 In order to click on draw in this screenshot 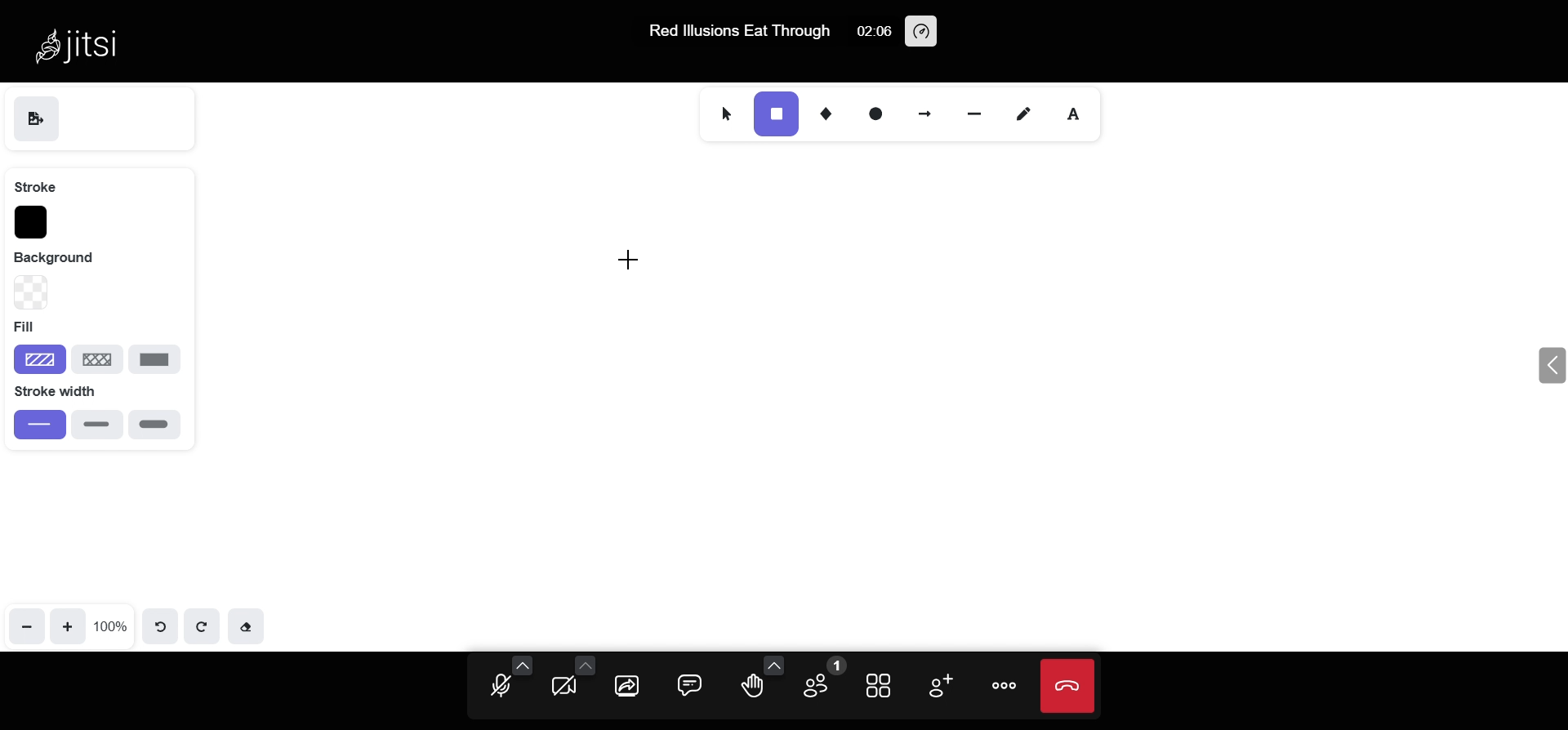, I will do `click(1020, 113)`.